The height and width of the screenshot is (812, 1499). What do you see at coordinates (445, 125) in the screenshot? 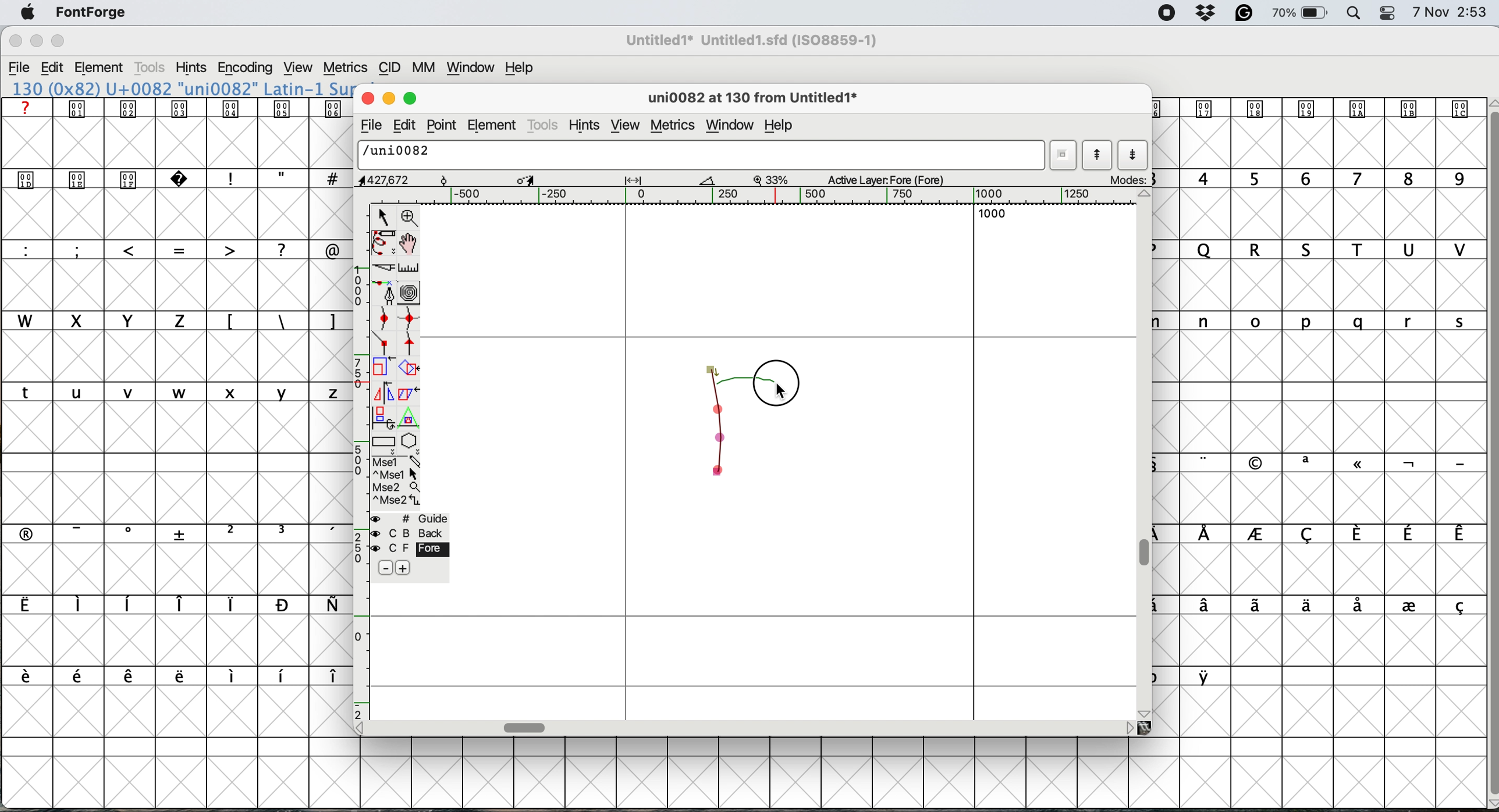
I see `point` at bounding box center [445, 125].